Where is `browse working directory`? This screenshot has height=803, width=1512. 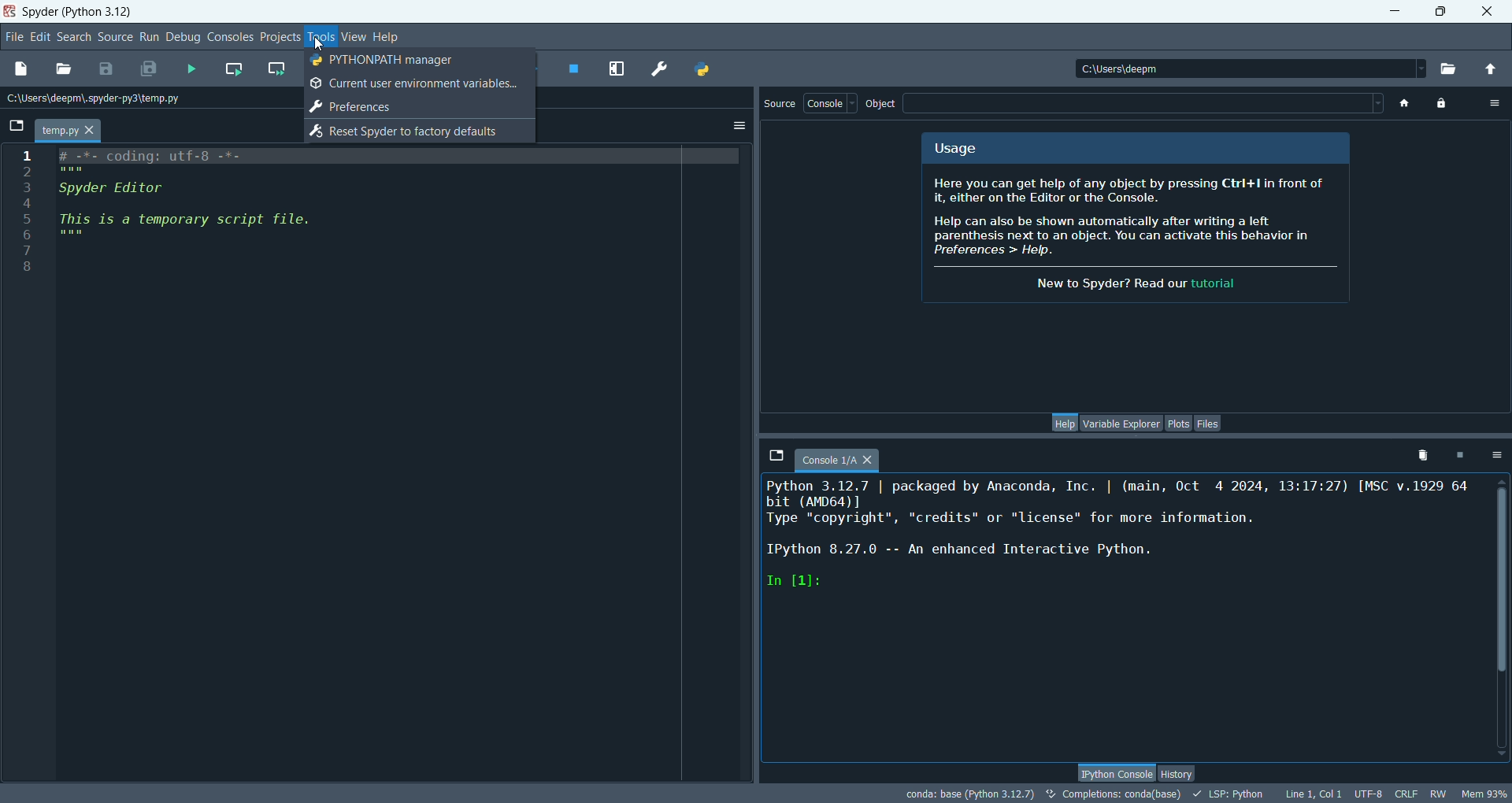
browse working directory is located at coordinates (1452, 67).